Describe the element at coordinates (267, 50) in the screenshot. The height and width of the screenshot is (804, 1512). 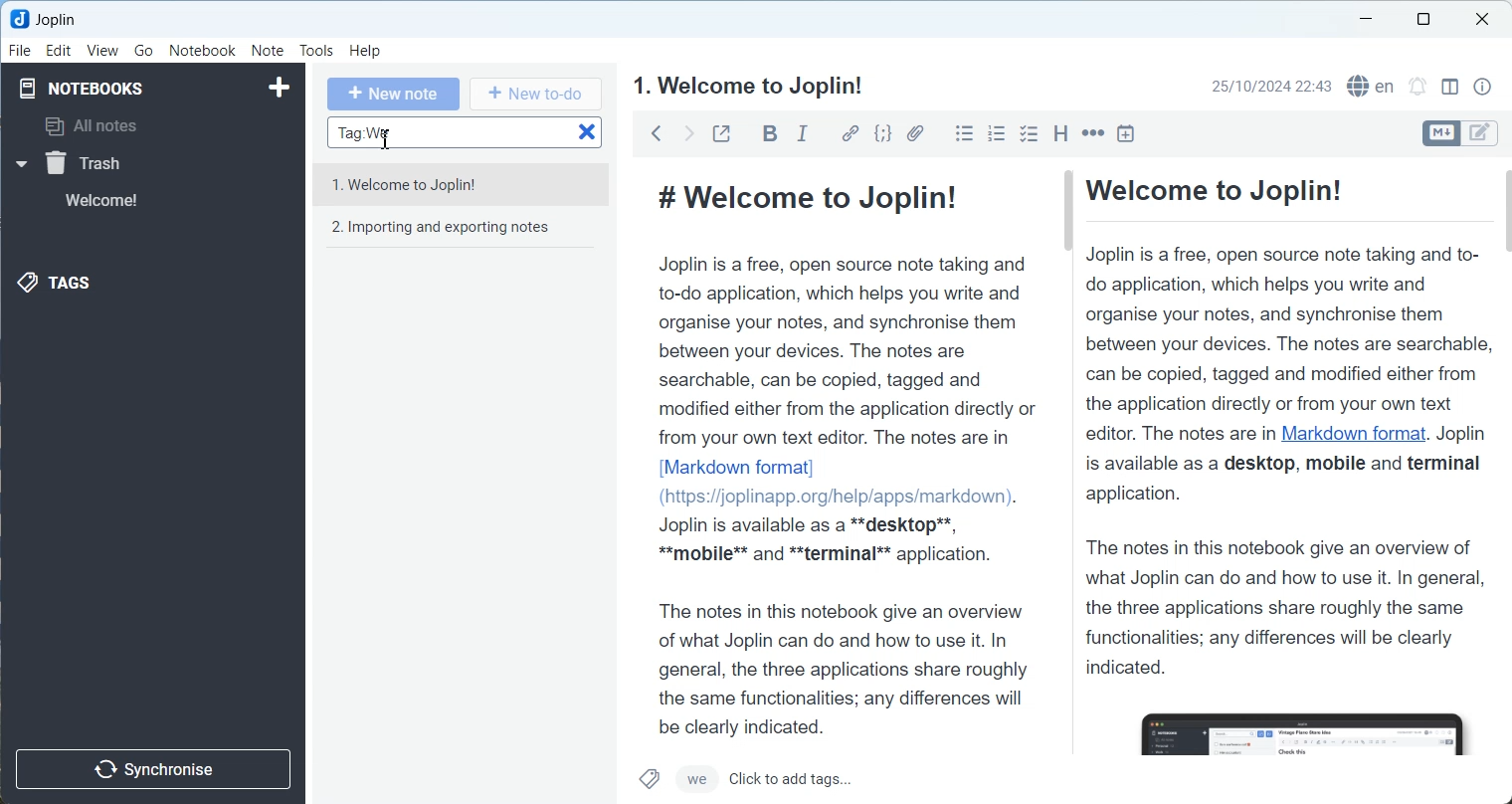
I see `Note` at that location.